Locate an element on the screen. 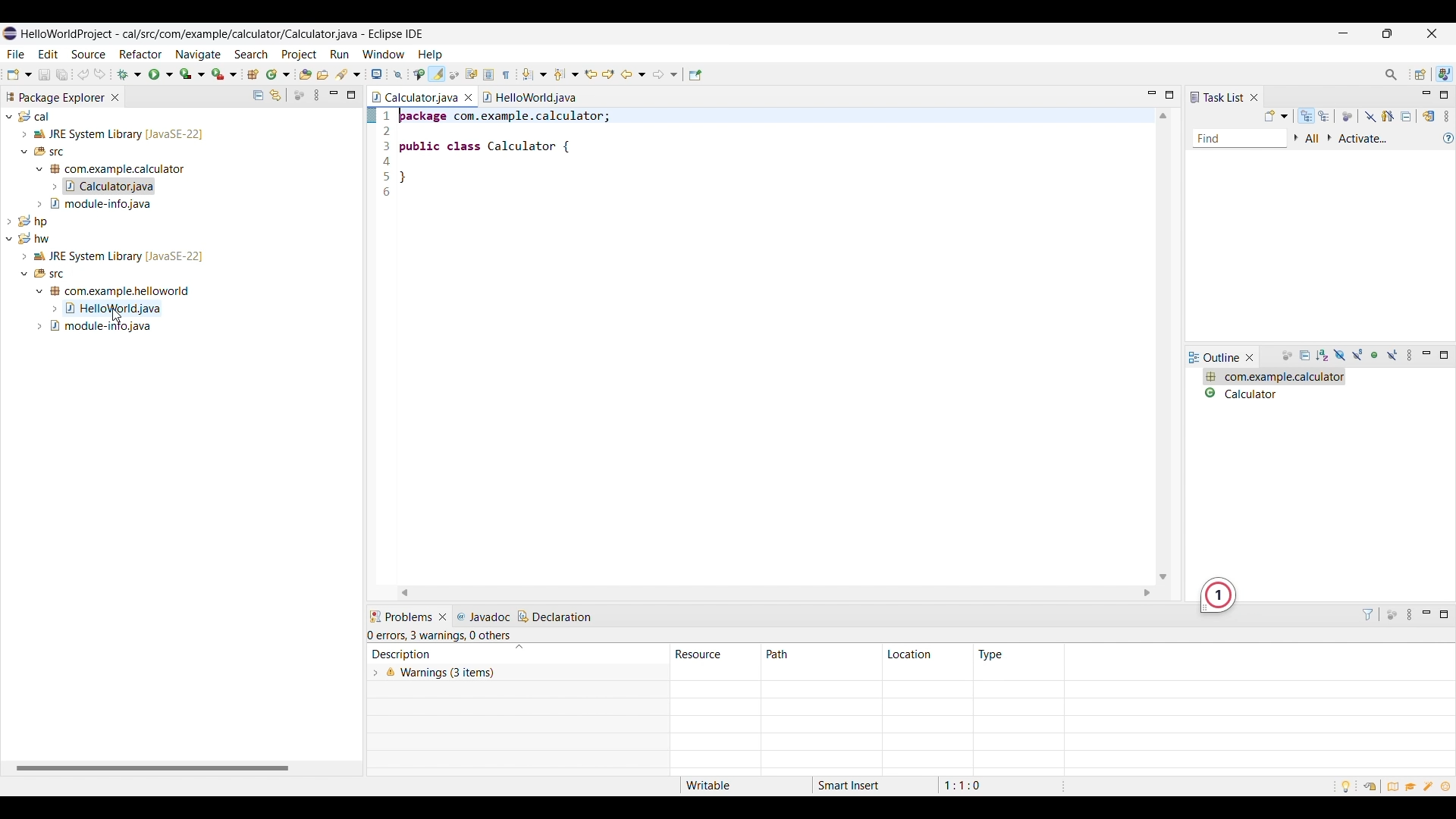 This screenshot has height=819, width=1456. External tool options is located at coordinates (224, 74).